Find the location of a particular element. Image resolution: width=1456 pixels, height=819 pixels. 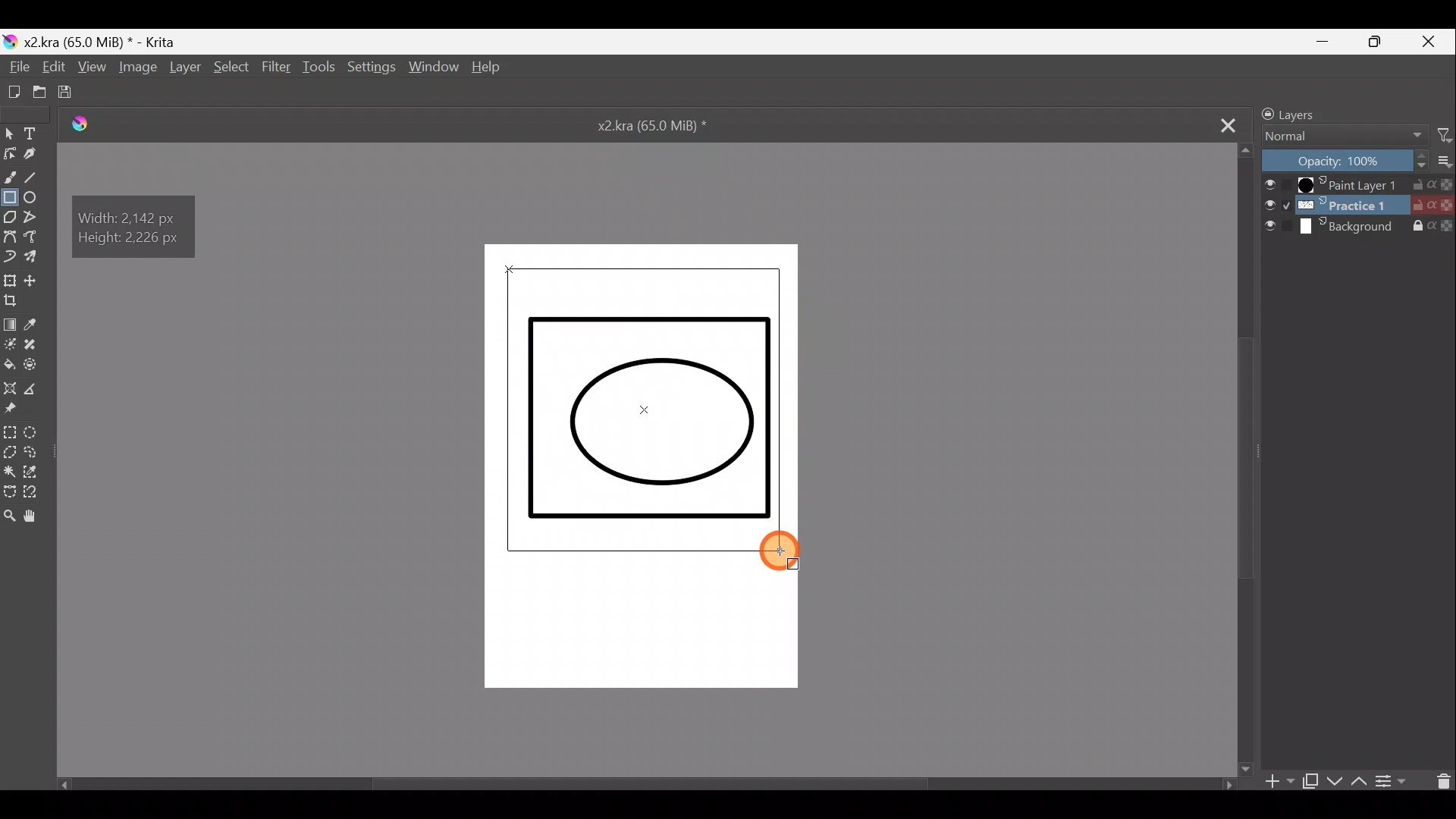

Crop image to an area is located at coordinates (17, 300).